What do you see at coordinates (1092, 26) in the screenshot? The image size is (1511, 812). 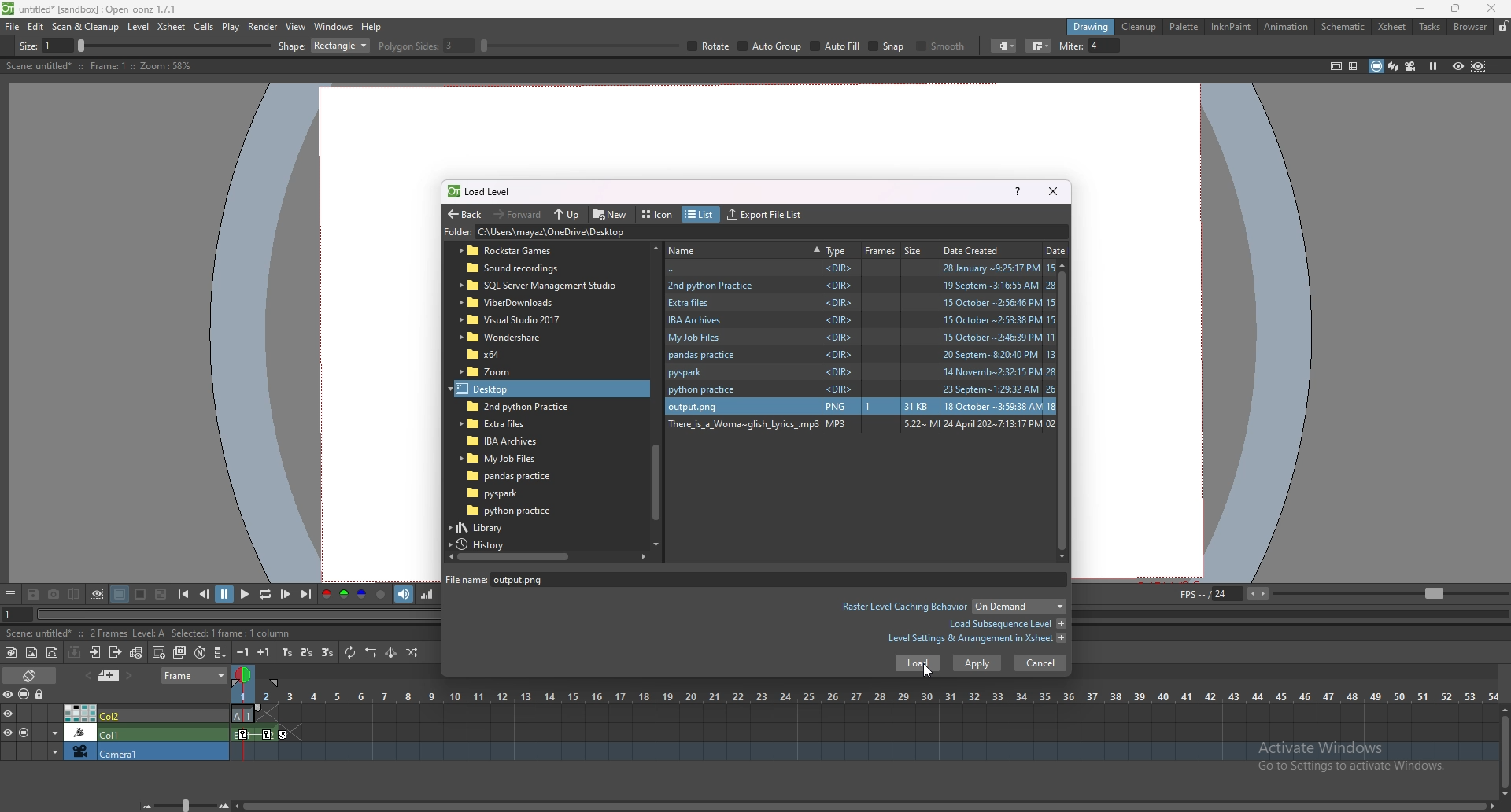 I see `drawing` at bounding box center [1092, 26].